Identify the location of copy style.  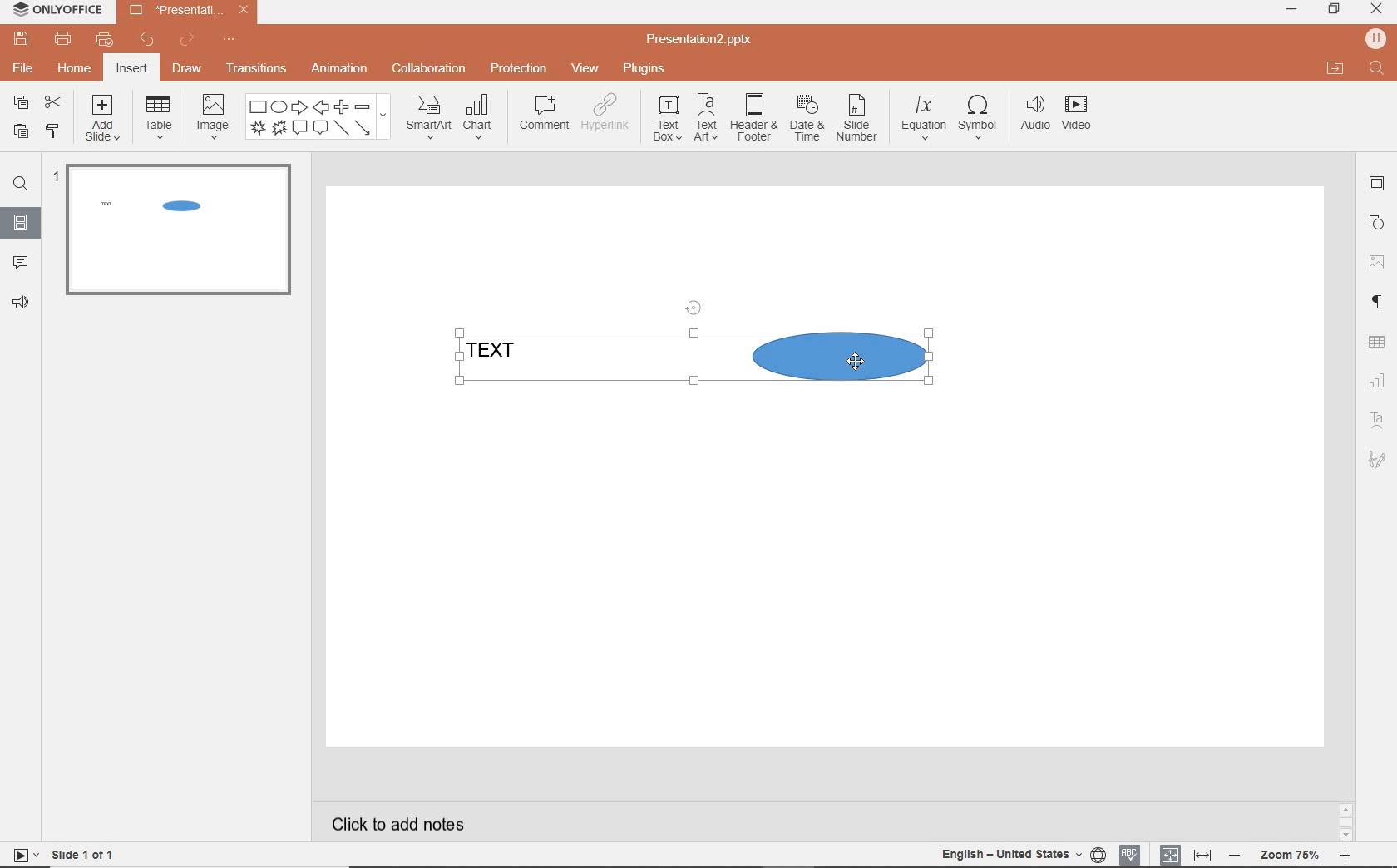
(52, 131).